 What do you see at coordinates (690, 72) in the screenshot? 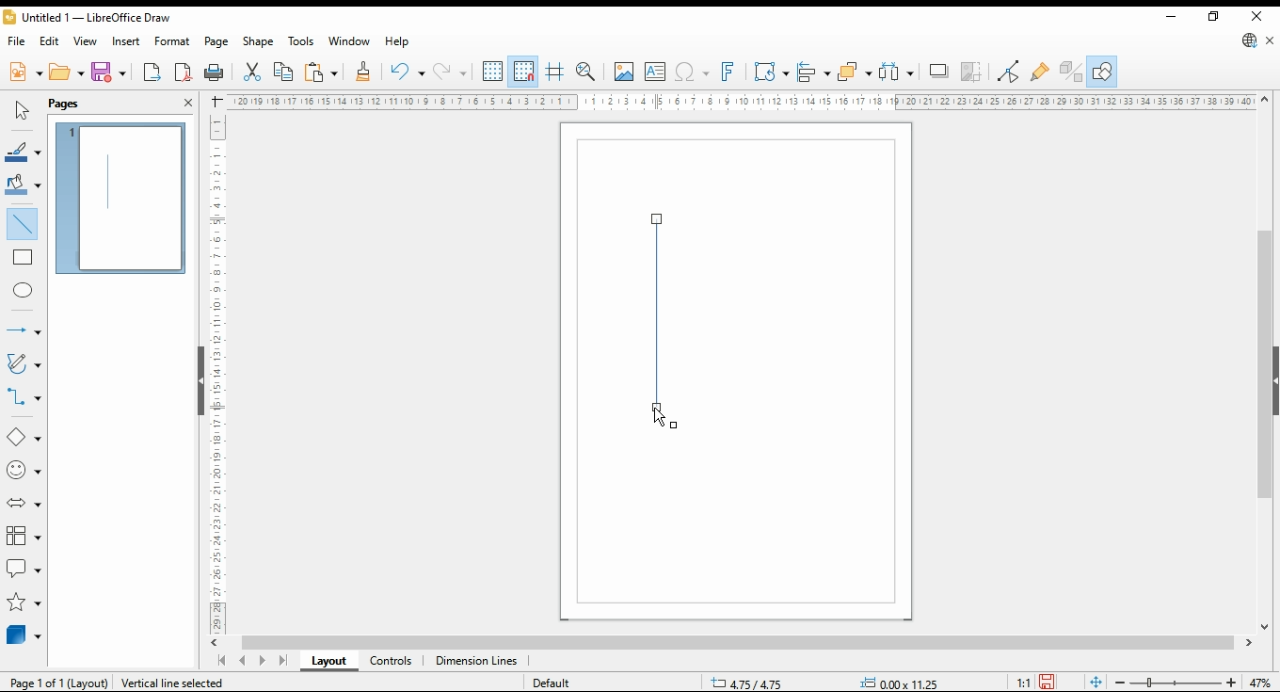
I see `insert special character` at bounding box center [690, 72].